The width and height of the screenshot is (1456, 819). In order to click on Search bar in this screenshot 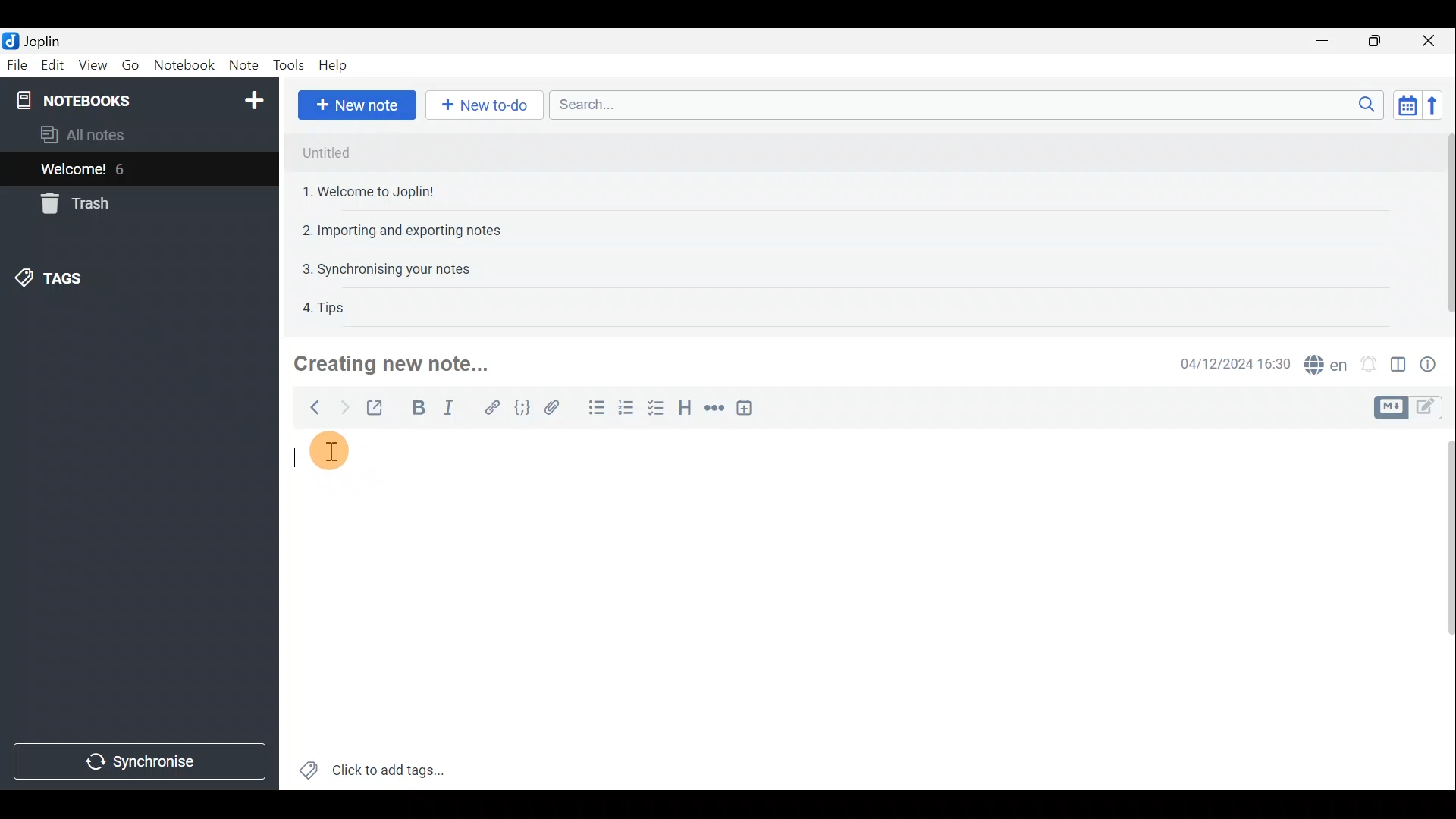, I will do `click(962, 104)`.